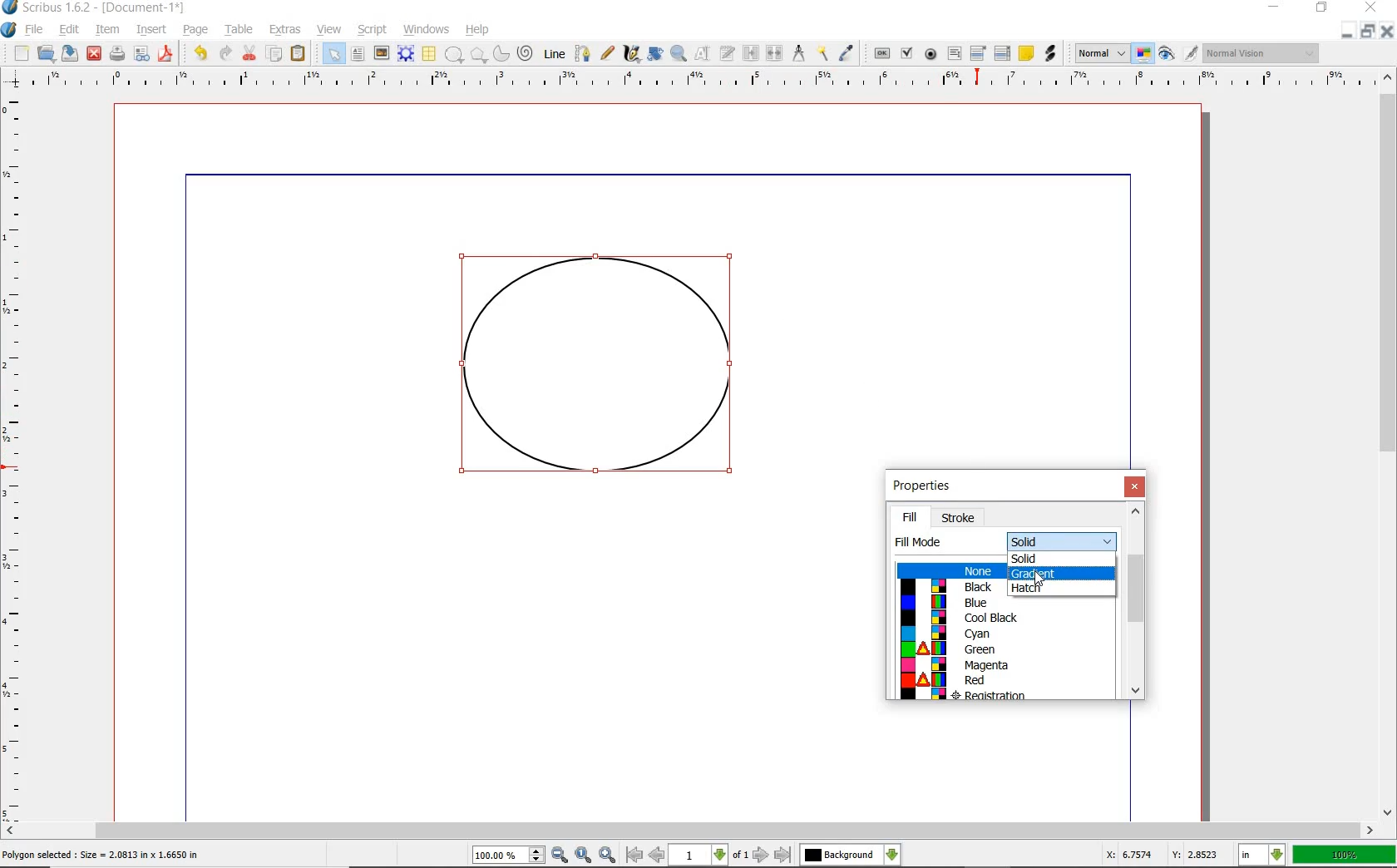 This screenshot has height=868, width=1397. What do you see at coordinates (510, 856) in the screenshot?
I see `zoom ` at bounding box center [510, 856].